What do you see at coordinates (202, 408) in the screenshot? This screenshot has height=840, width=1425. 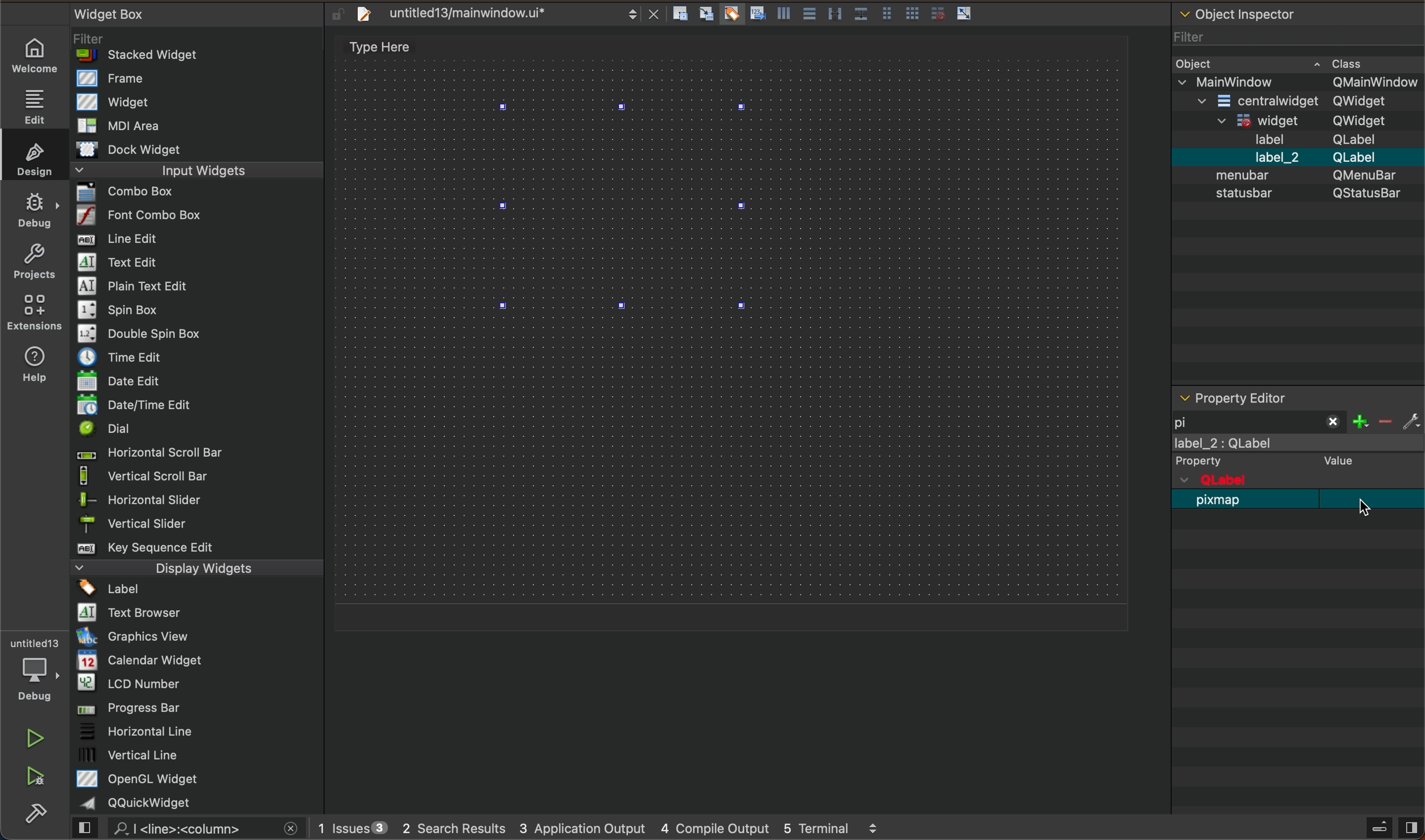 I see `widget box` at bounding box center [202, 408].